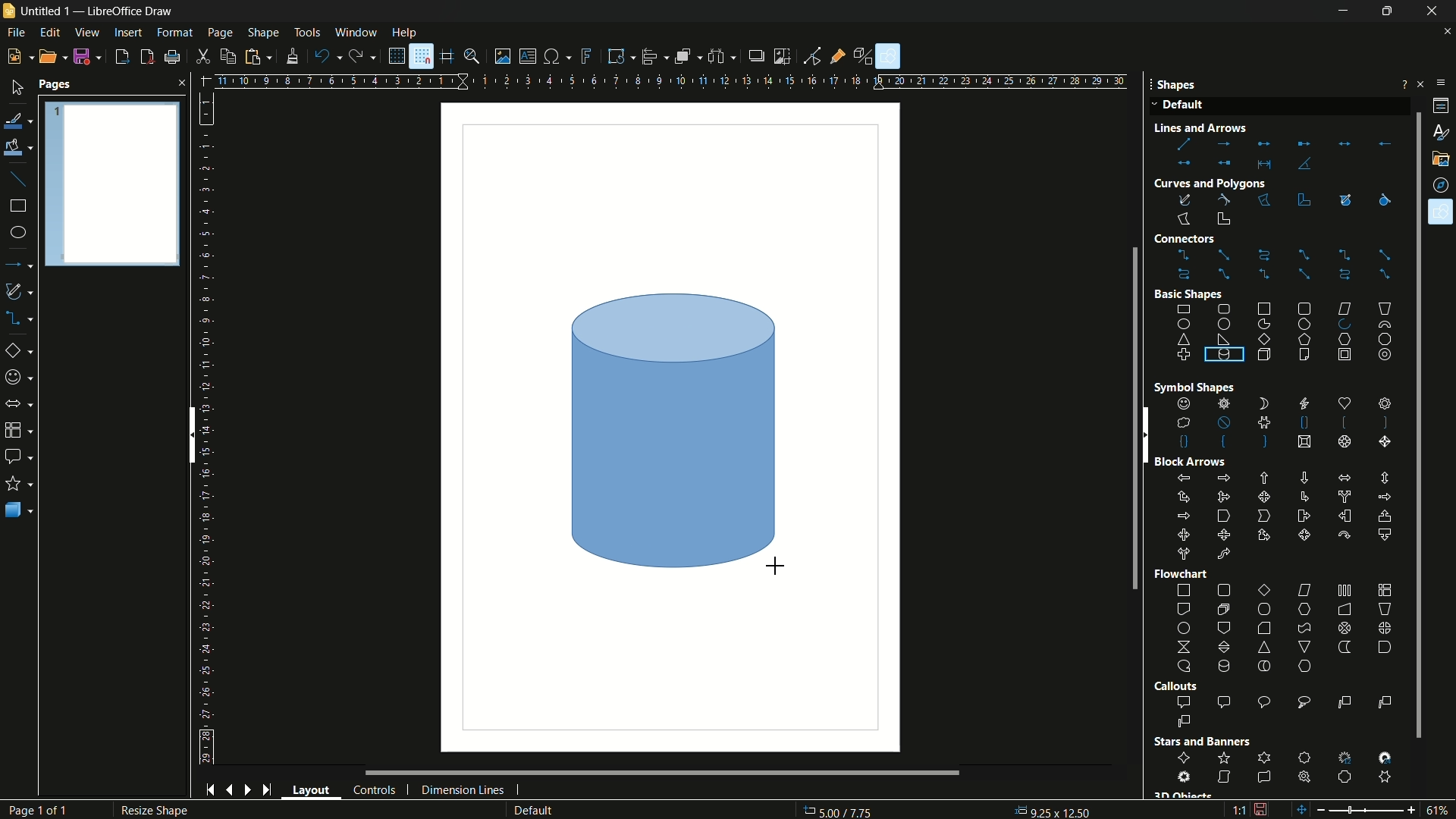 This screenshot has height=819, width=1456. I want to click on sidebar settings, so click(1439, 83).